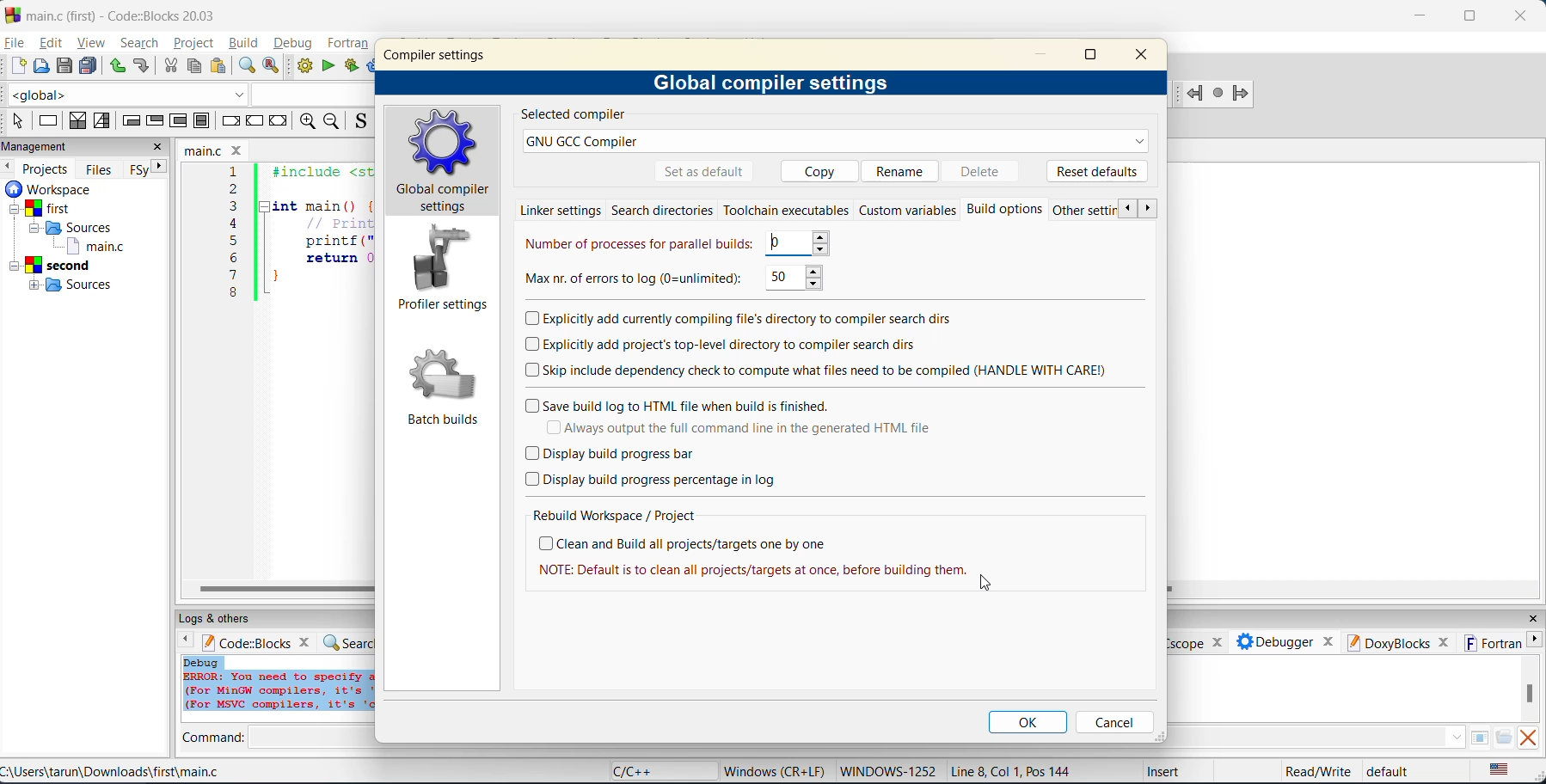  What do you see at coordinates (116, 15) in the screenshot?
I see `main.c (first) - Code::Blocks 20.03` at bounding box center [116, 15].